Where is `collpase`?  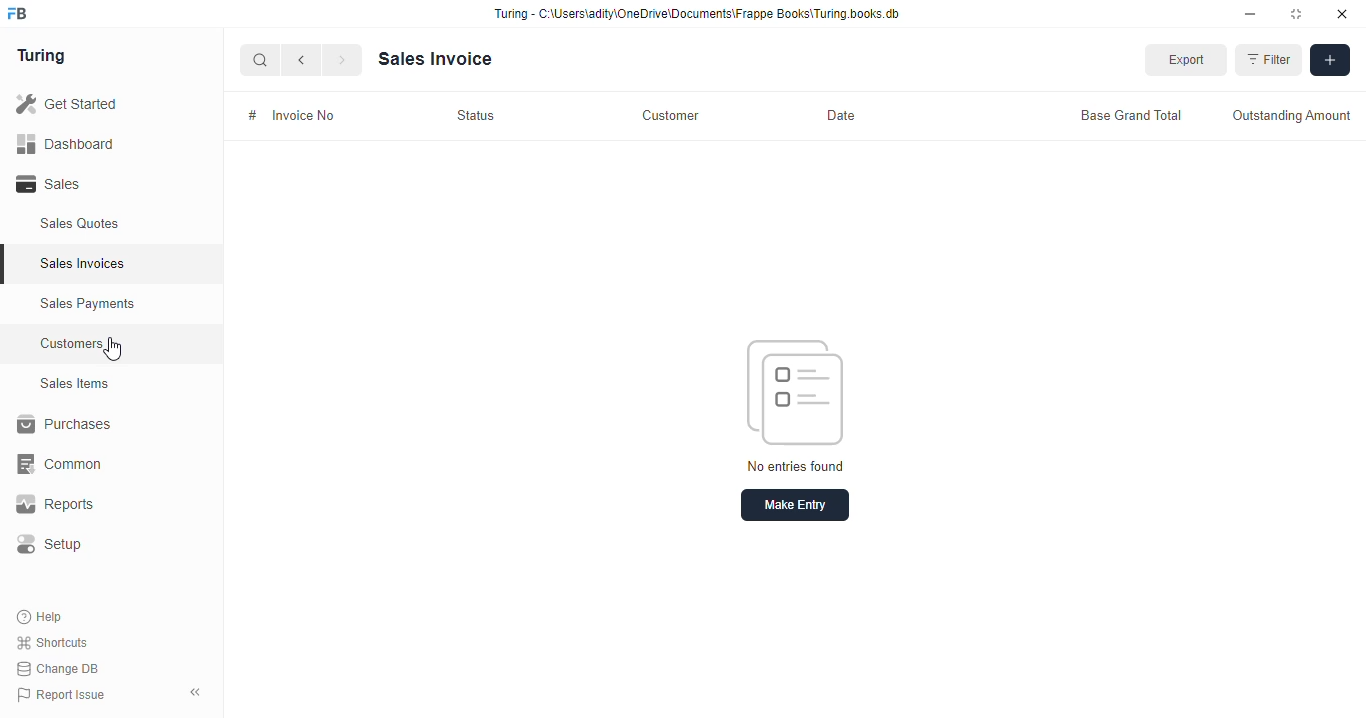 collpase is located at coordinates (195, 692).